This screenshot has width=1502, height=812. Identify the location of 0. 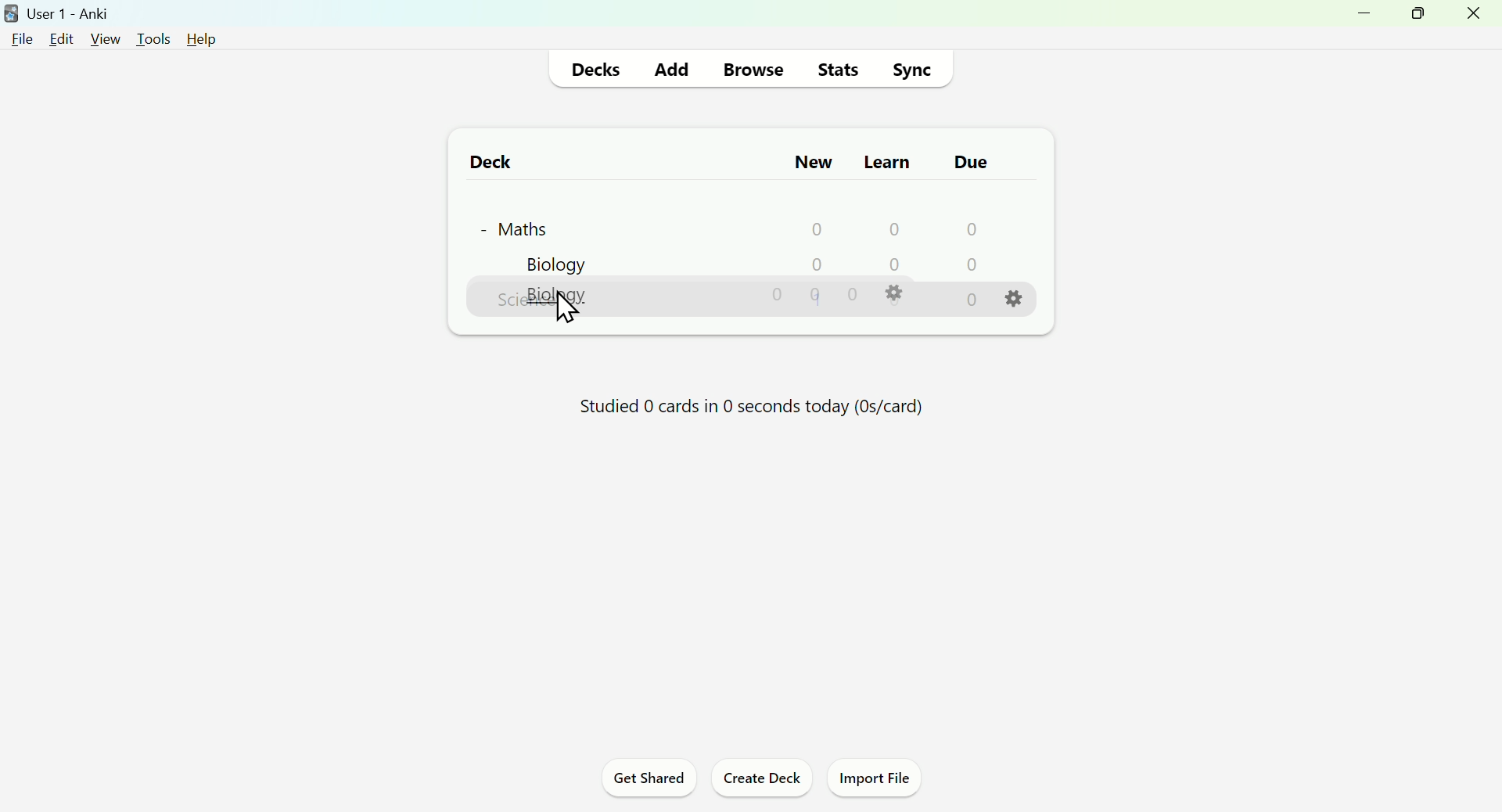
(968, 266).